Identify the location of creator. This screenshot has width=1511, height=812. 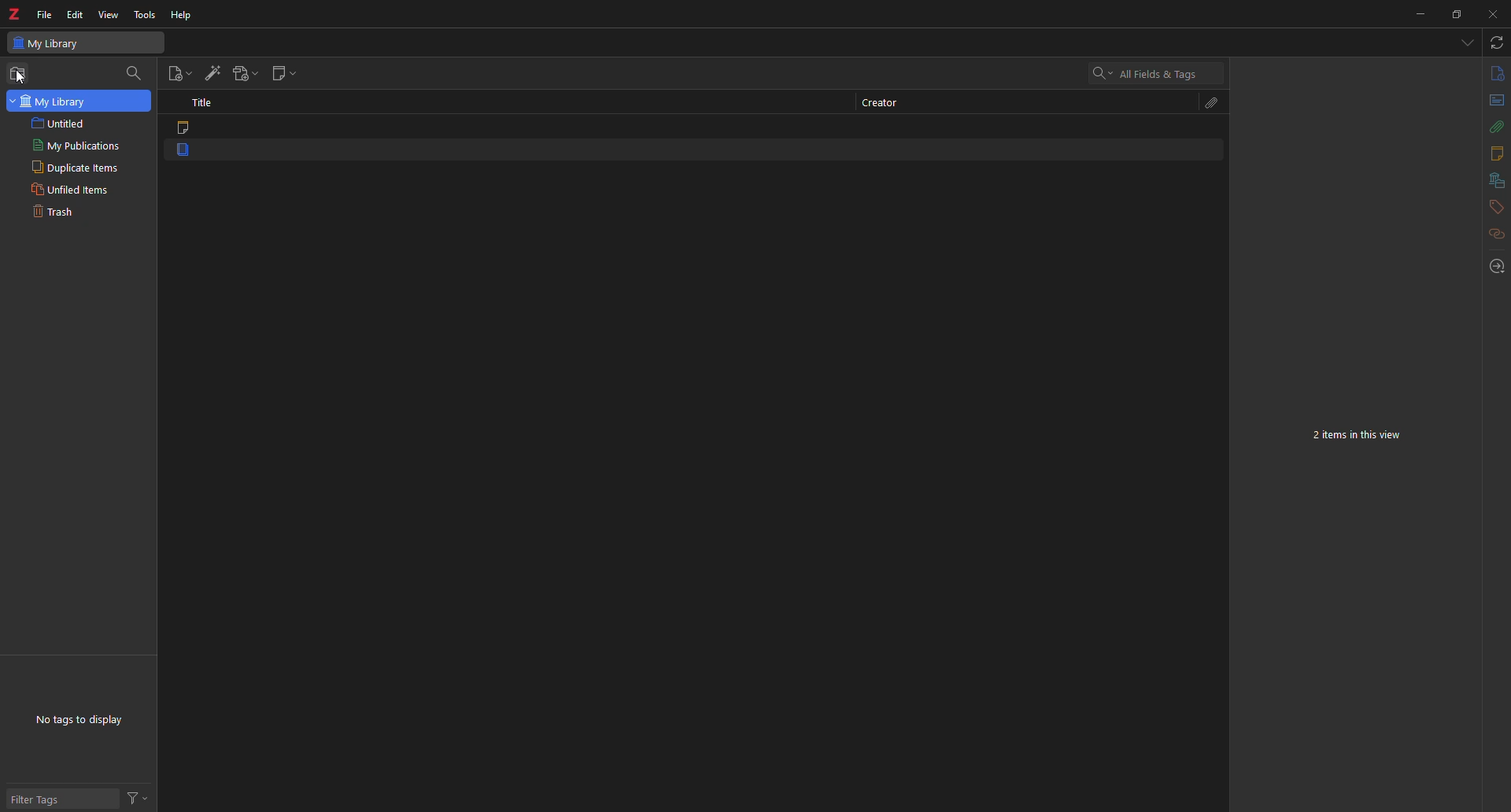
(878, 102).